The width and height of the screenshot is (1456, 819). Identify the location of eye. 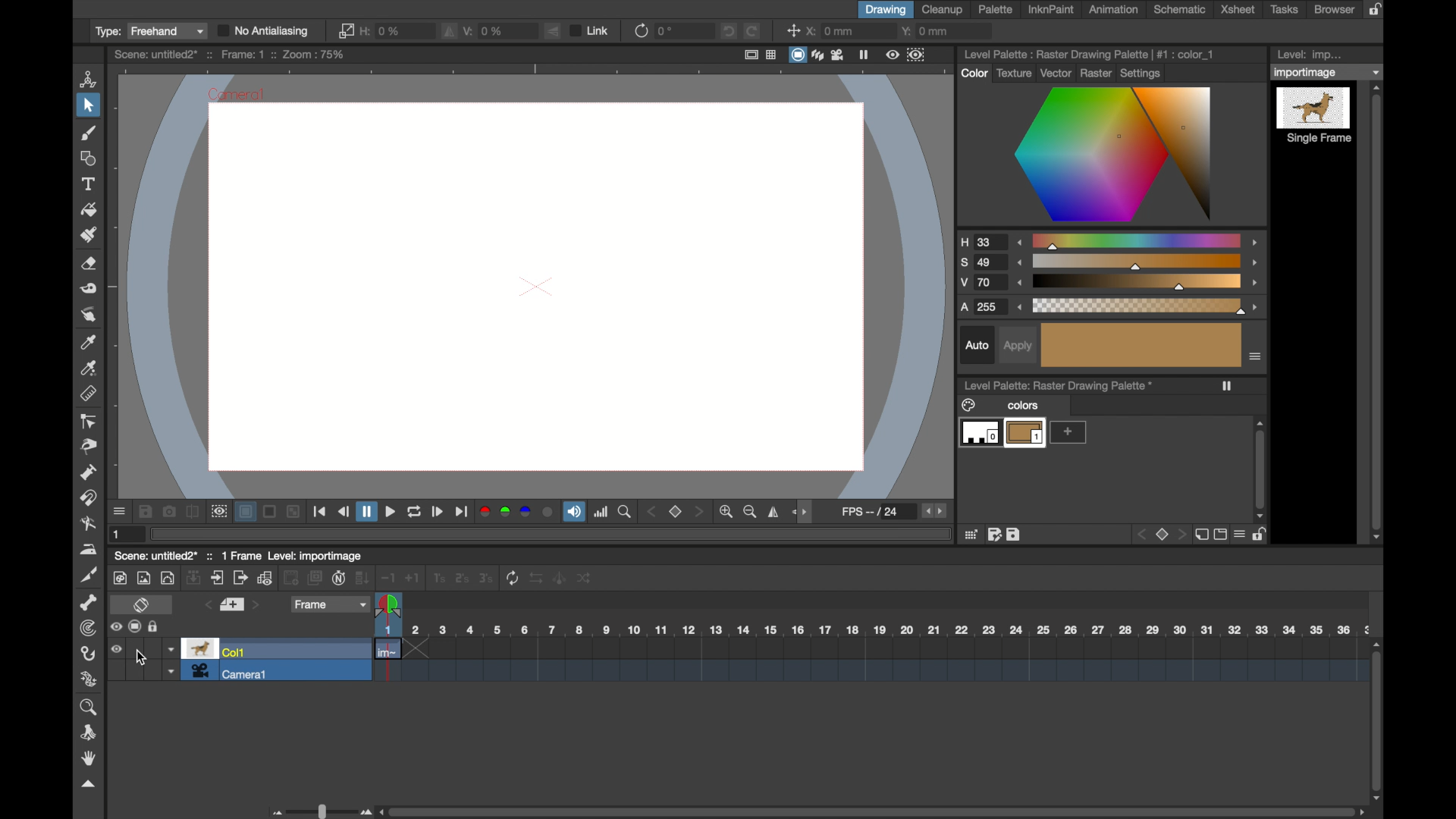
(116, 627).